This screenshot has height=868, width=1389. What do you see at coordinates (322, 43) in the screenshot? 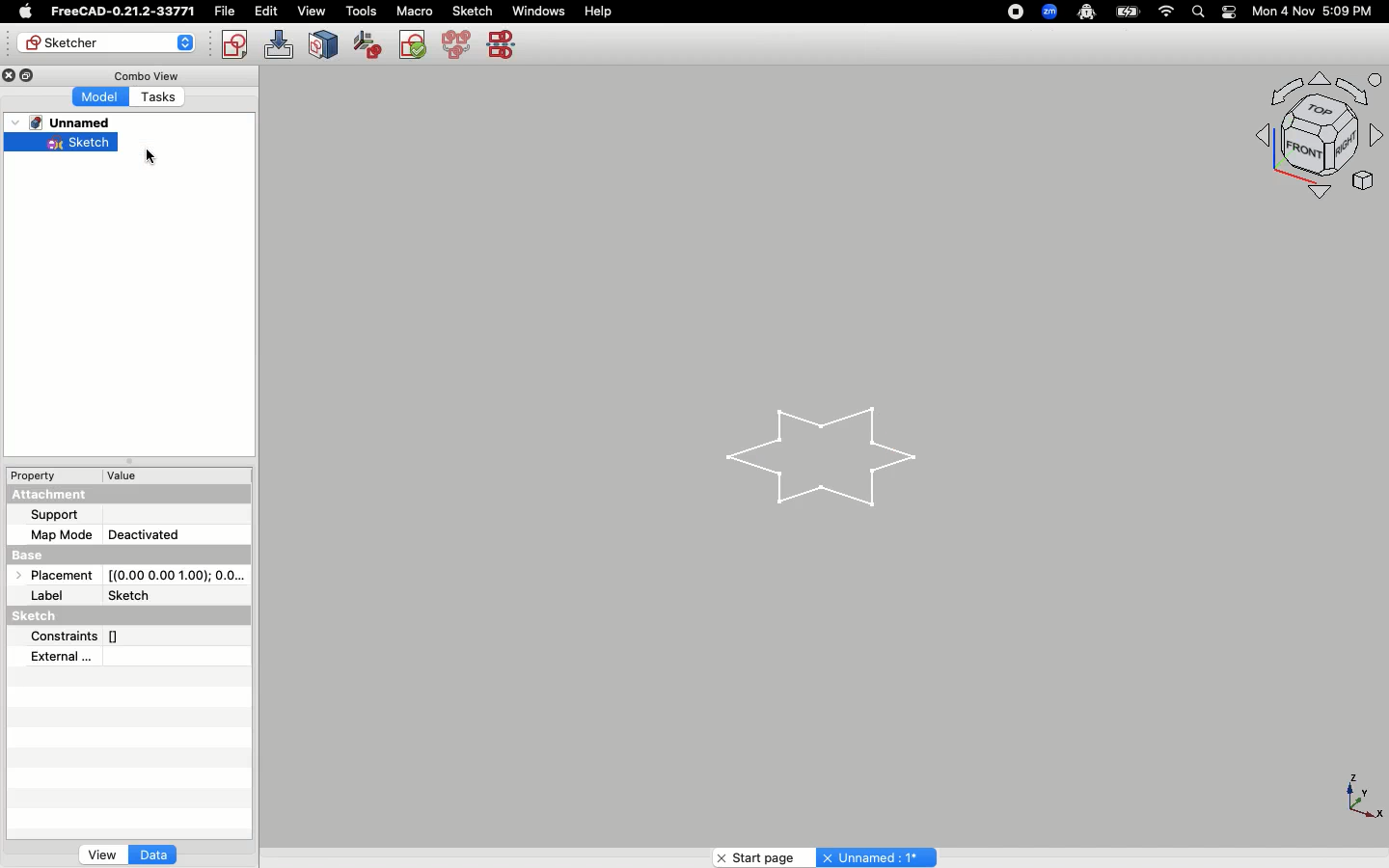
I see `Close sketch` at bounding box center [322, 43].